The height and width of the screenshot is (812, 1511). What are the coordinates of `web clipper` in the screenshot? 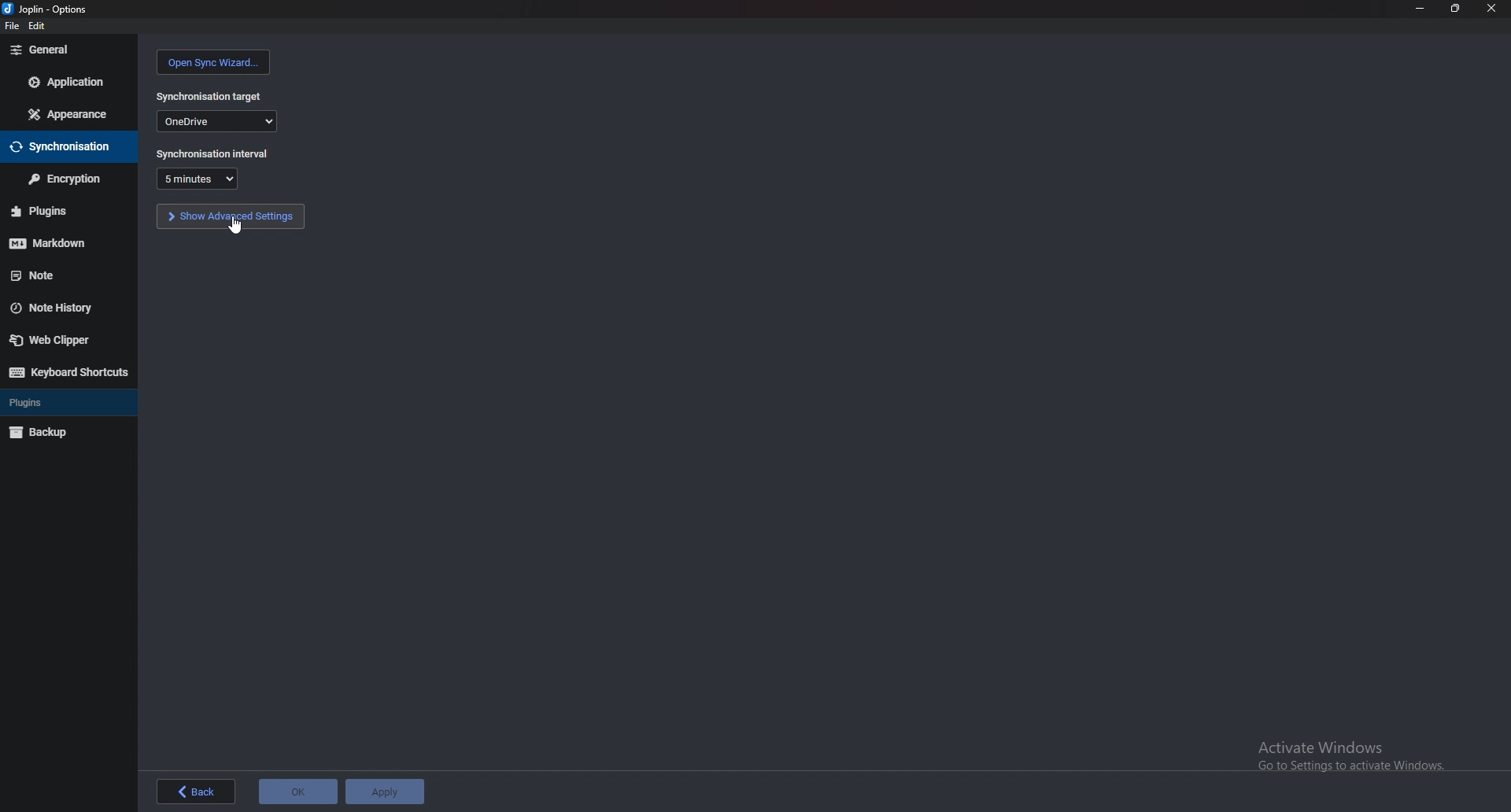 It's located at (59, 341).